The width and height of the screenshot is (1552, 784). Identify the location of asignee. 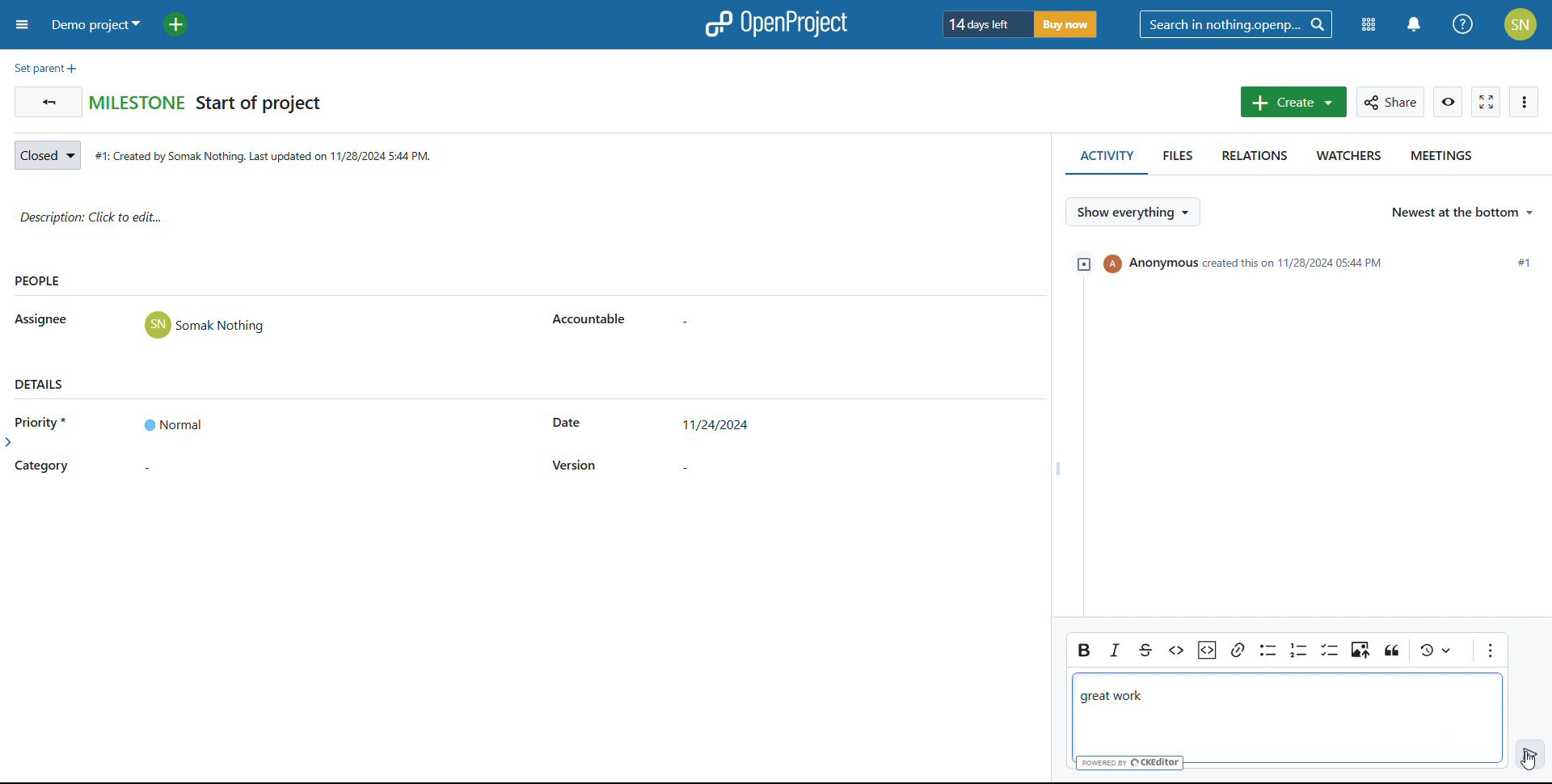
(43, 320).